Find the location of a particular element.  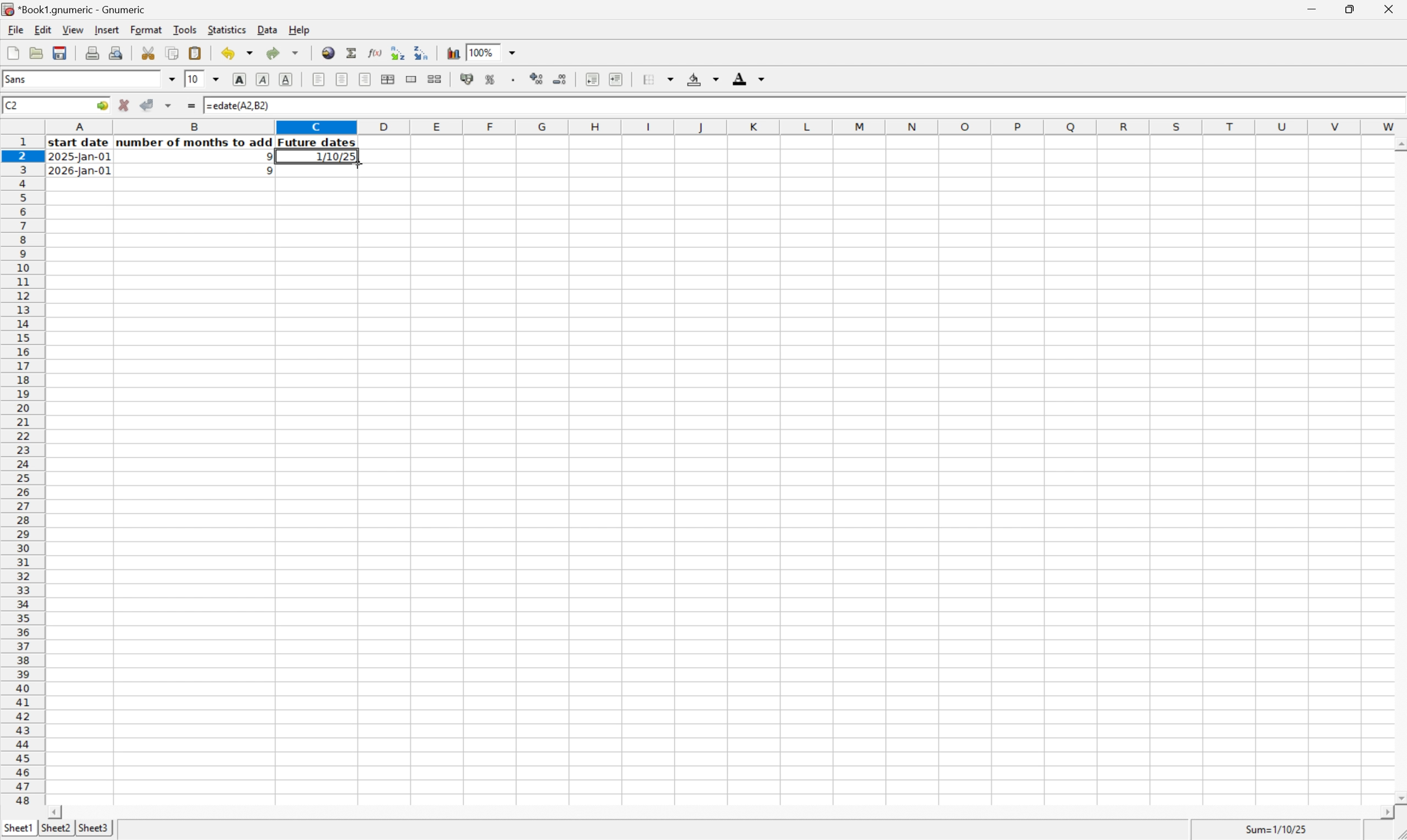

Format the selection as accounting is located at coordinates (465, 79).